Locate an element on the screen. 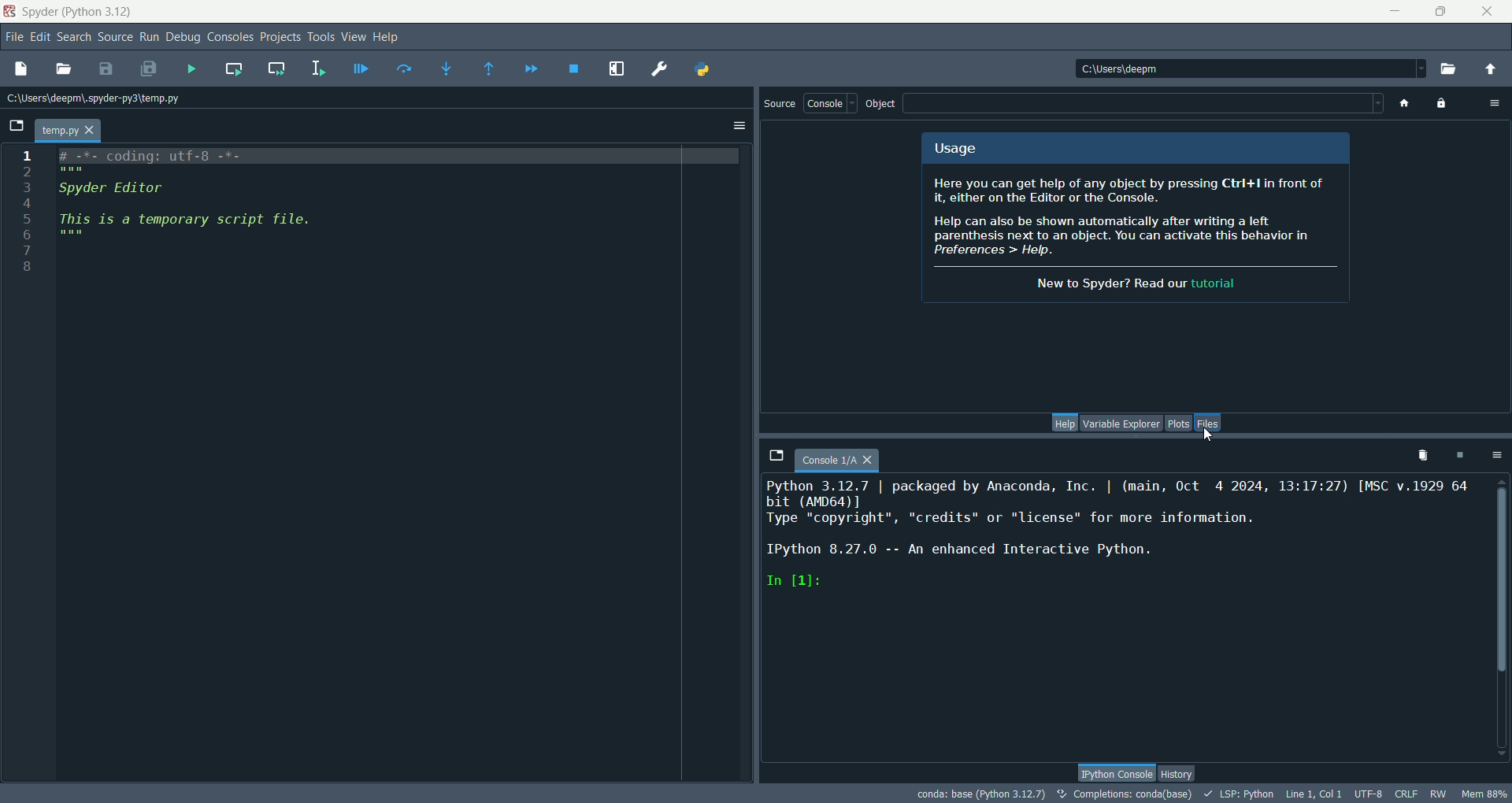 The image size is (1512, 803). conda:base is located at coordinates (982, 794).